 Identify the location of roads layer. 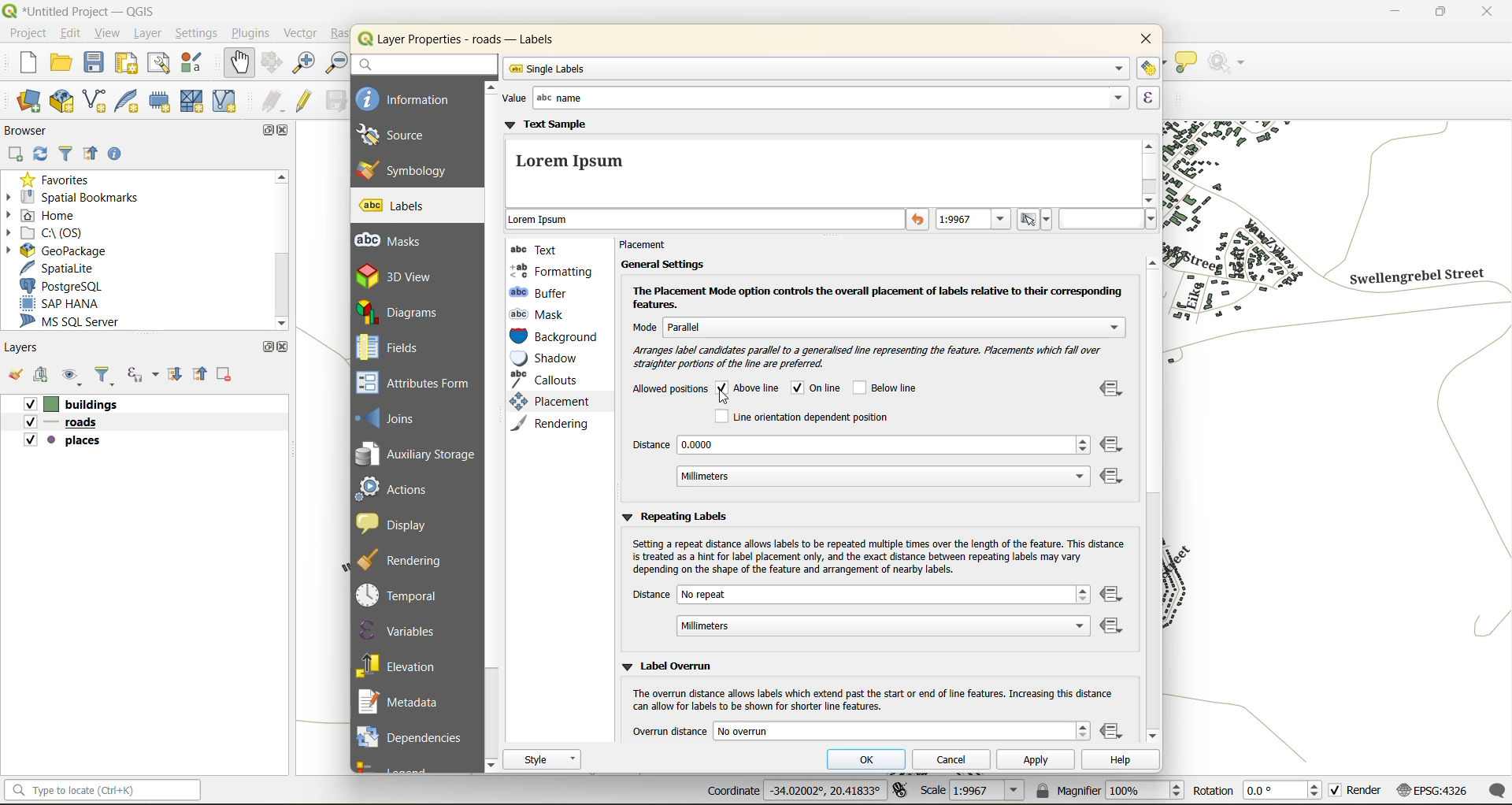
(68, 423).